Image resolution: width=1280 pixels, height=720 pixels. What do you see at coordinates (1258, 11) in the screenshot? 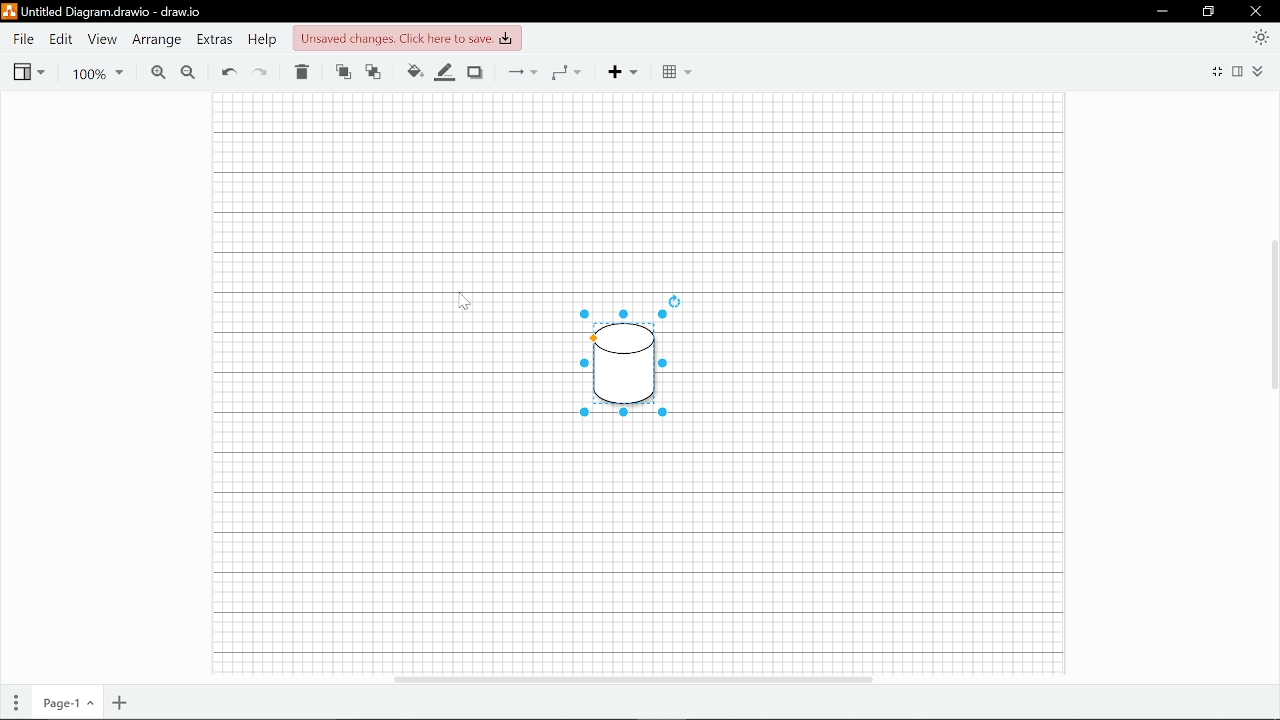
I see `Close` at bounding box center [1258, 11].